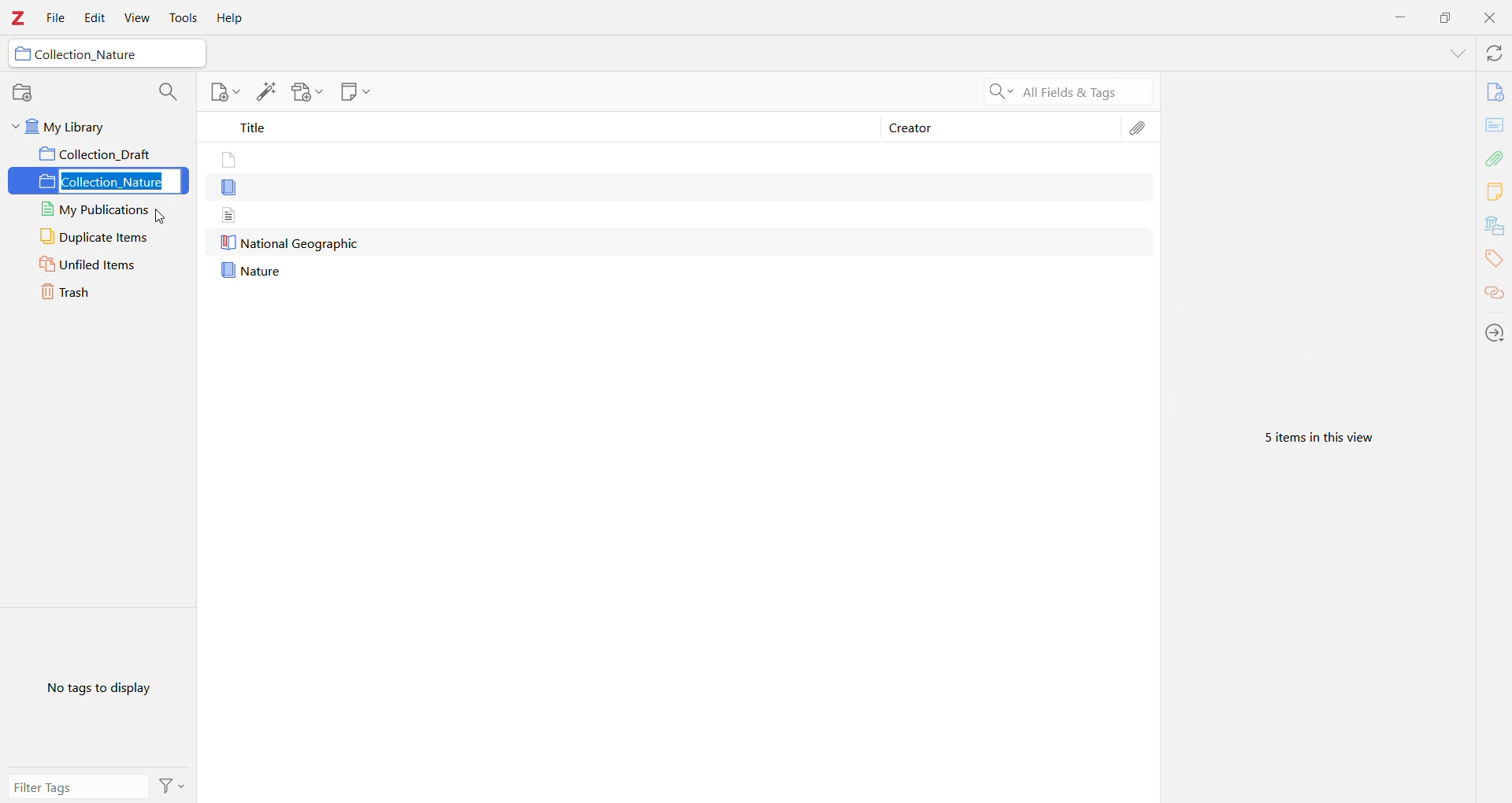 The width and height of the screenshot is (1512, 803). I want to click on Libraries and Collections, so click(1493, 226).